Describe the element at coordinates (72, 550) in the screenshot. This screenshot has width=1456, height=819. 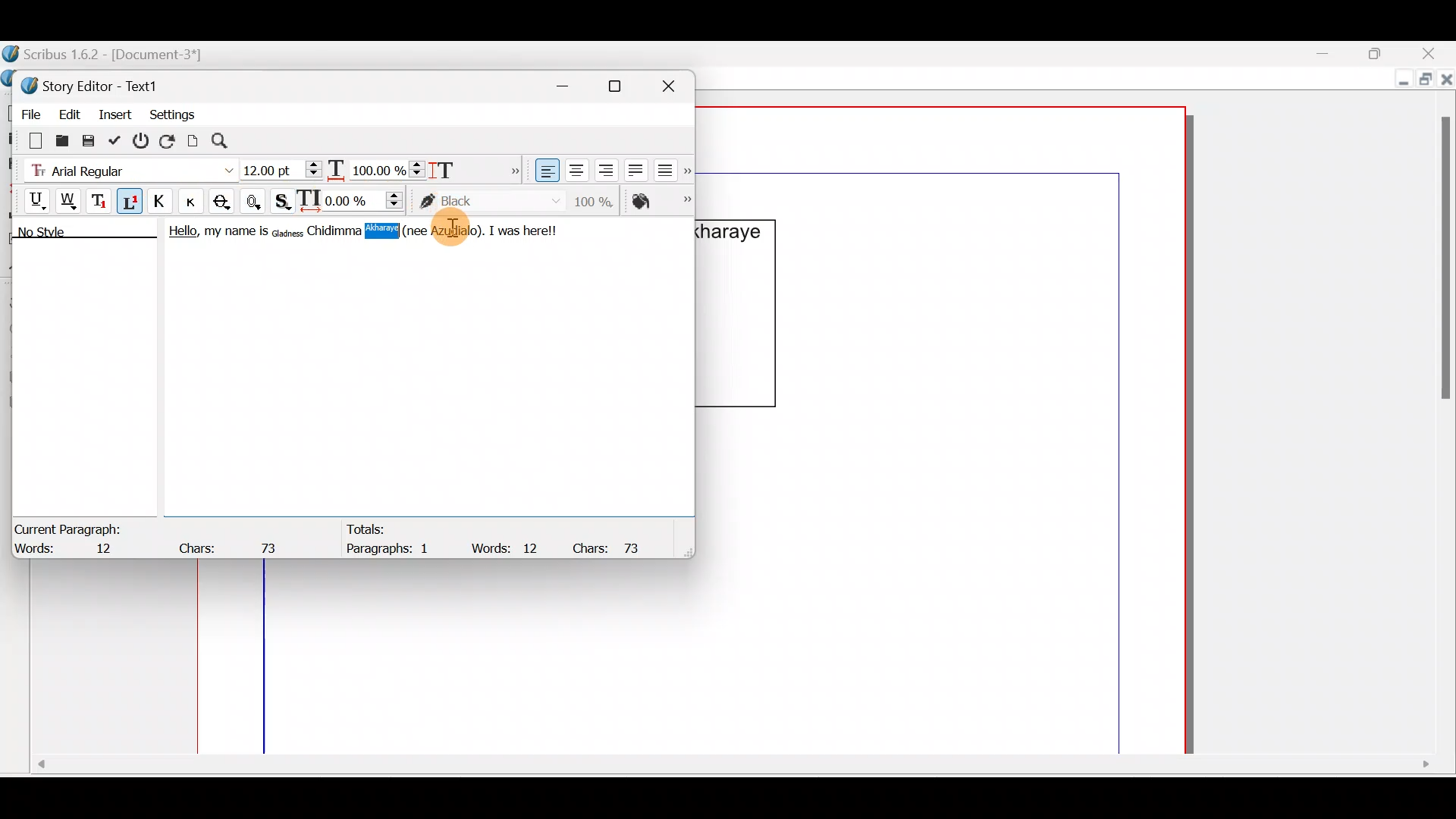
I see `Words: 12` at that location.